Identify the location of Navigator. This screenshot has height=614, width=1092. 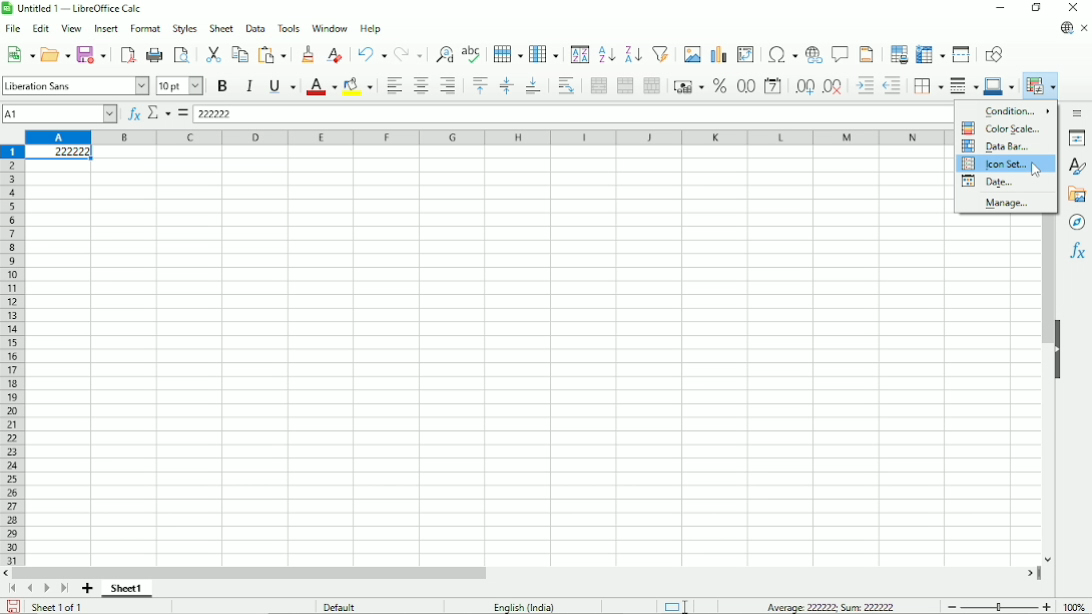
(1076, 222).